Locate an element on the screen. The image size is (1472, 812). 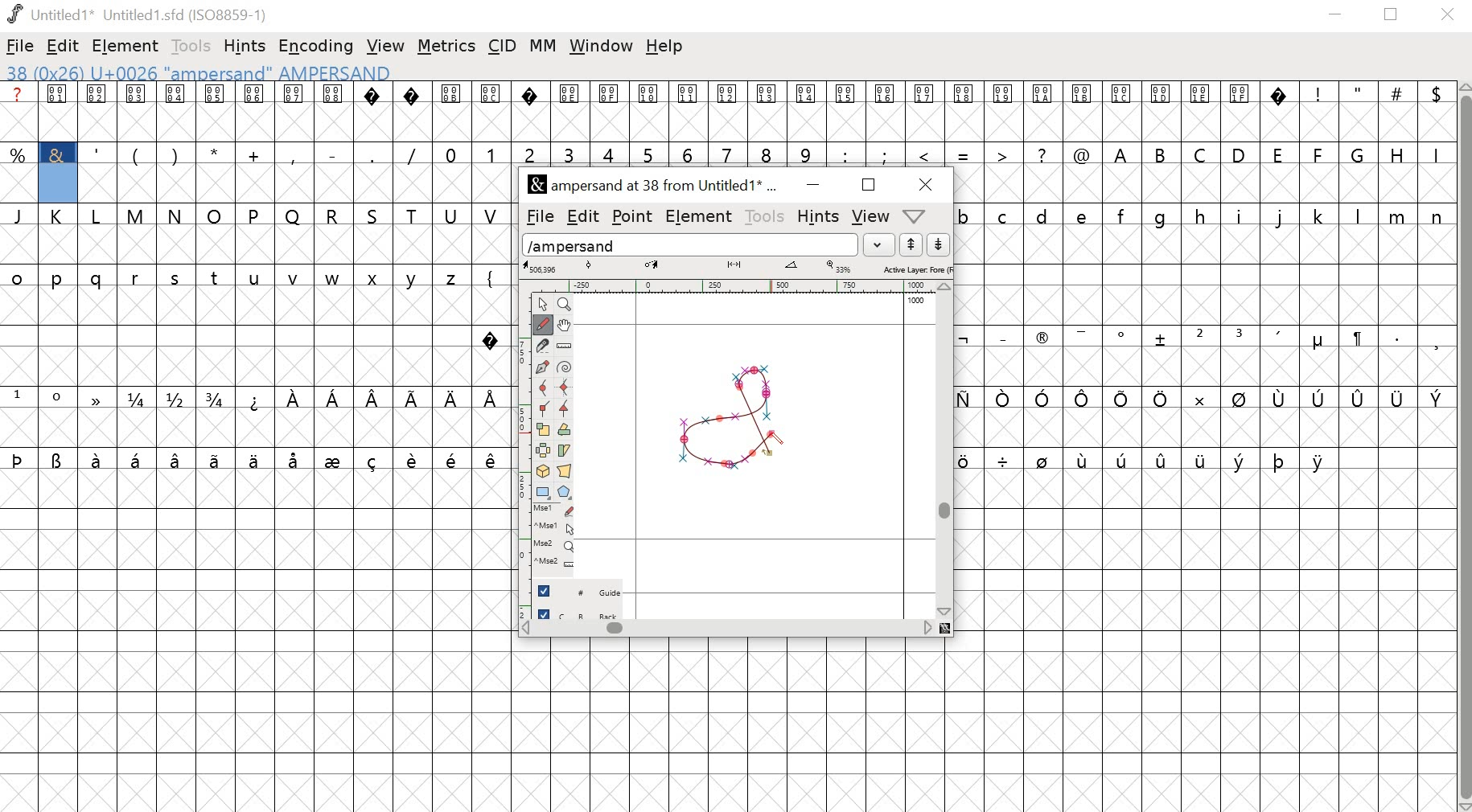
0006 is located at coordinates (255, 112).